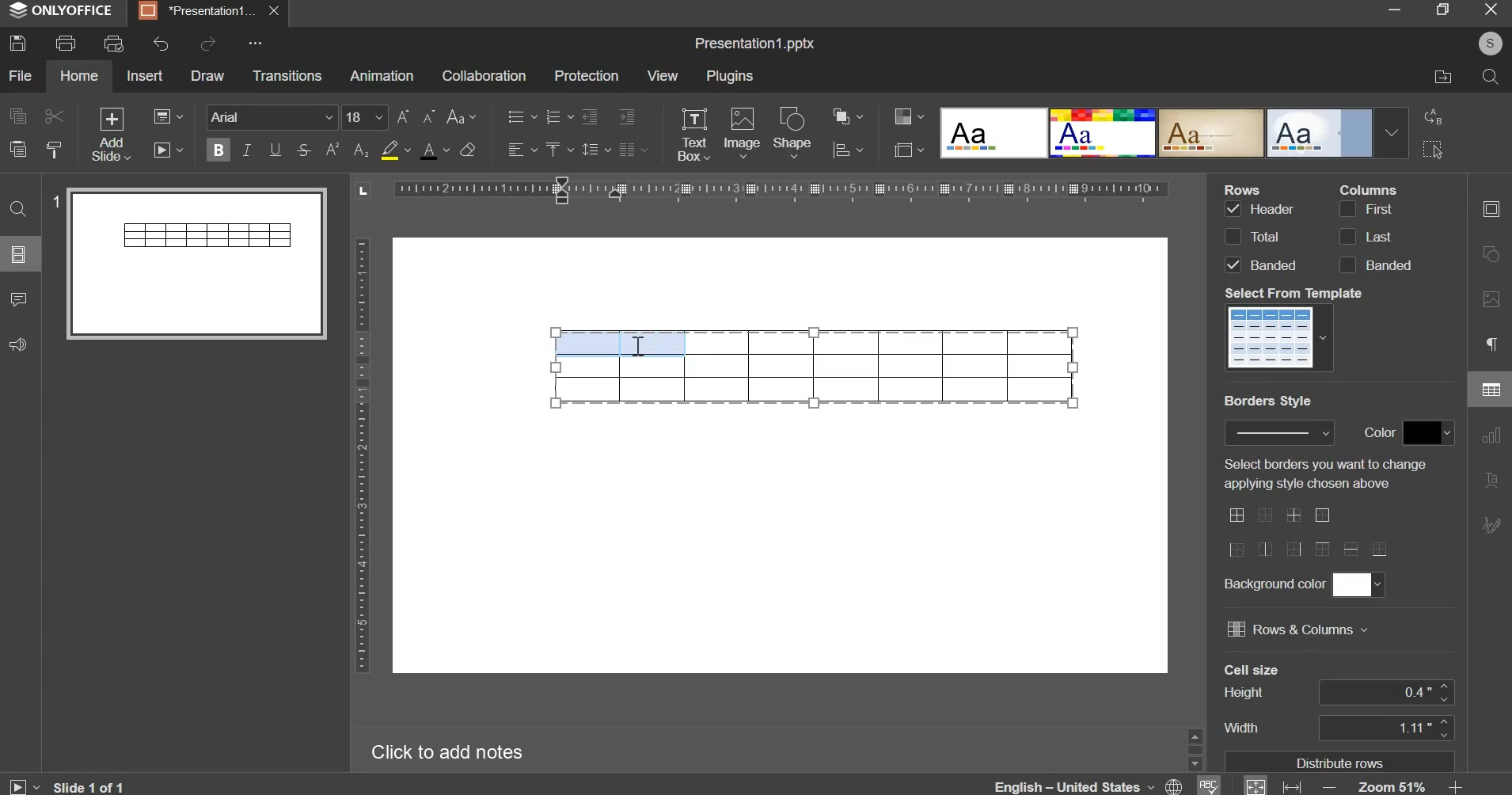  What do you see at coordinates (112, 135) in the screenshot?
I see `add slide` at bounding box center [112, 135].